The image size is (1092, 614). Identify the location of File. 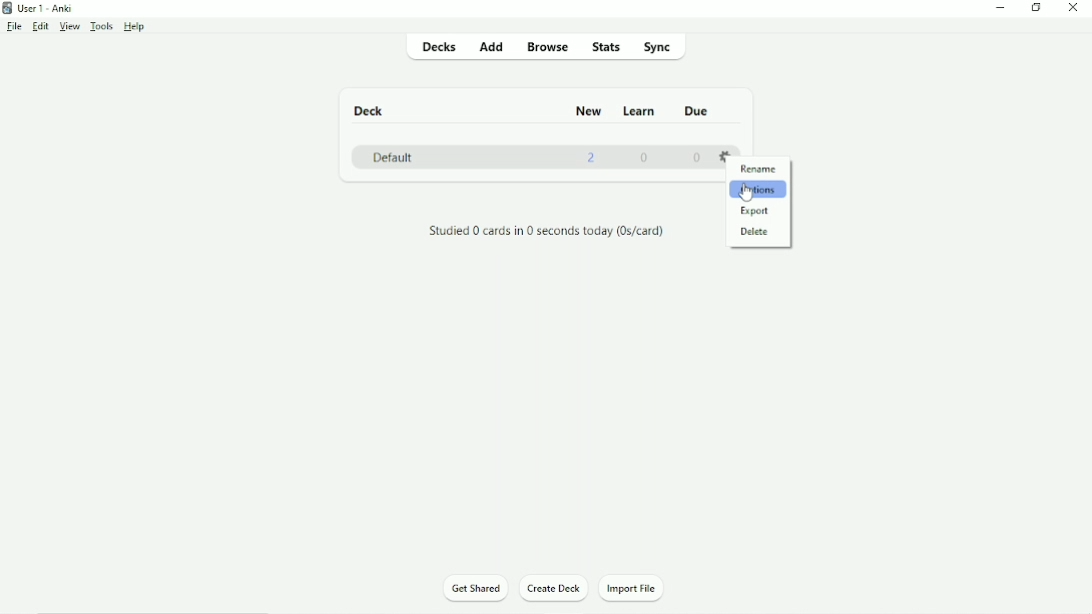
(13, 27).